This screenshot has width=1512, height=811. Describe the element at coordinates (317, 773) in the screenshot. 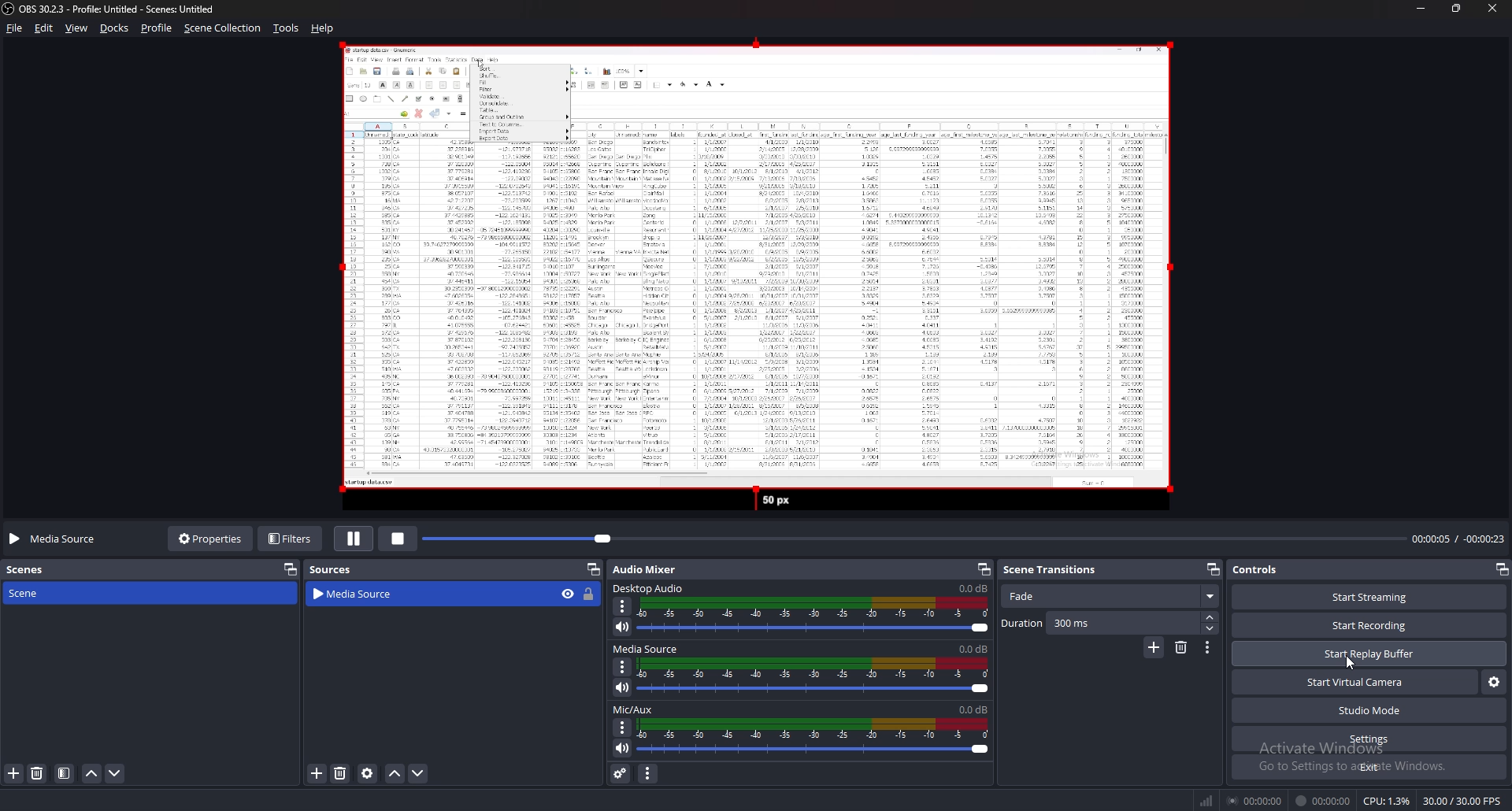

I see `add source` at that location.